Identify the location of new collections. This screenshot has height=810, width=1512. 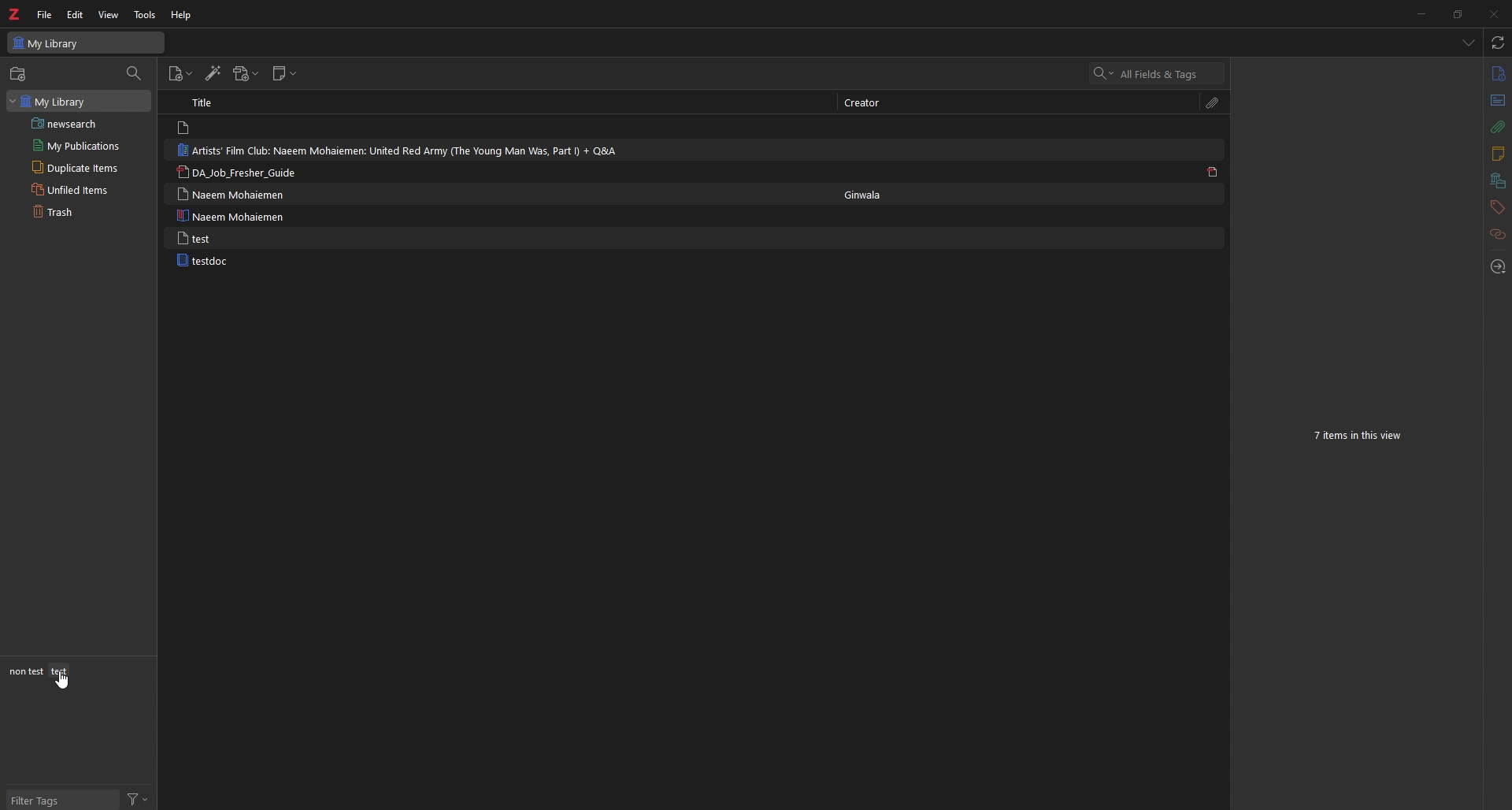
(19, 74).